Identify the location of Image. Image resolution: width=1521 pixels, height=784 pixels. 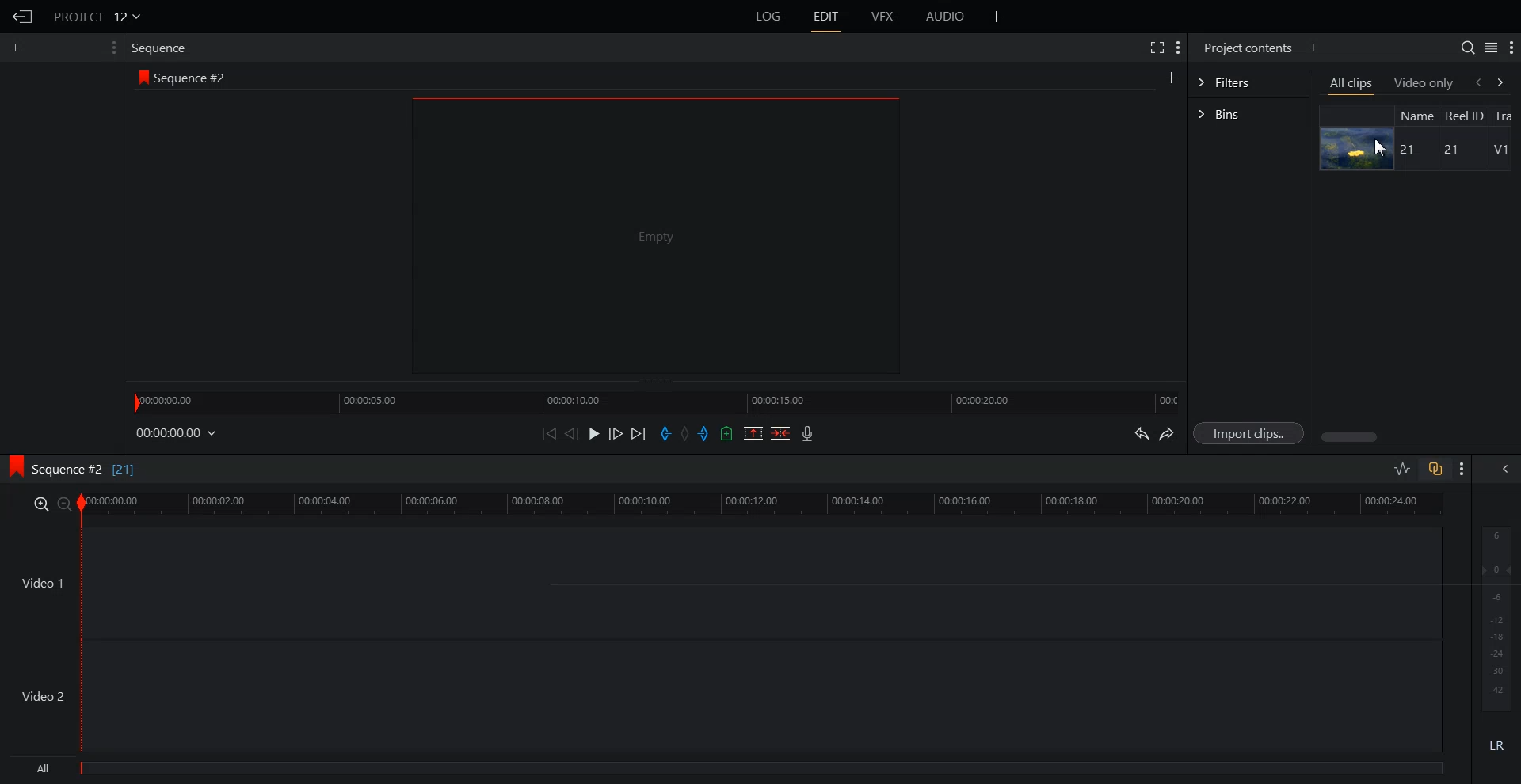
(1358, 148).